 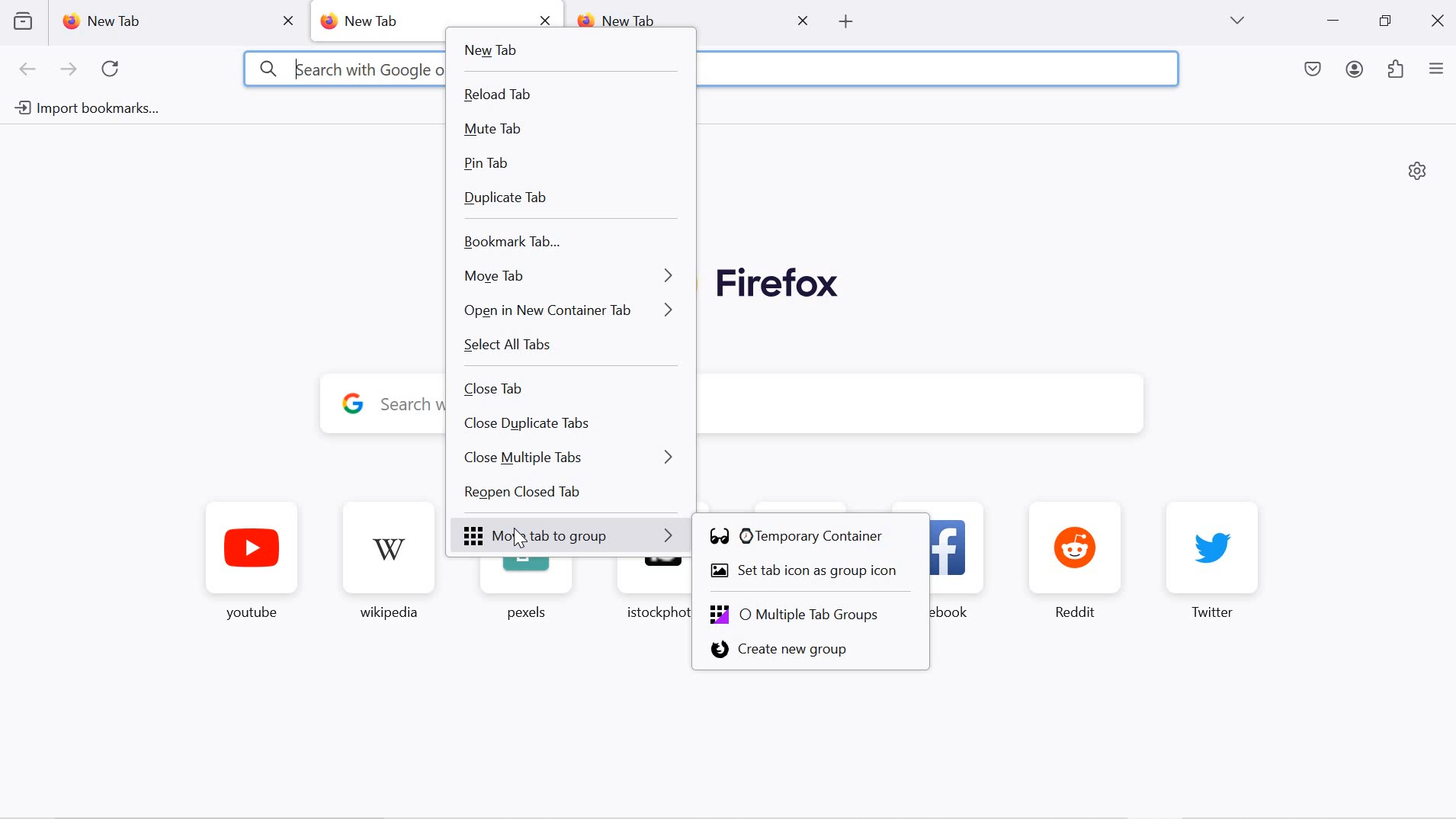 I want to click on new tab, so click(x=678, y=14).